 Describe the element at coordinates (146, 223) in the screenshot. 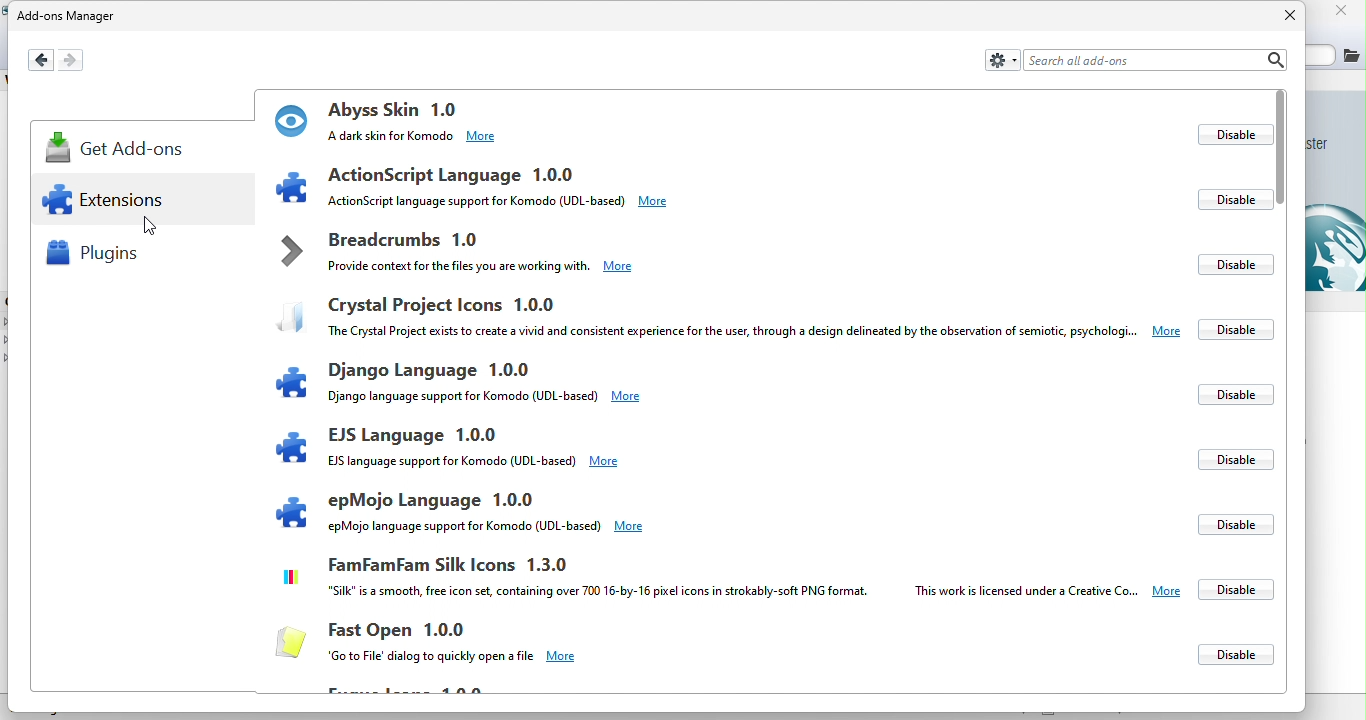

I see `cursor movement` at that location.